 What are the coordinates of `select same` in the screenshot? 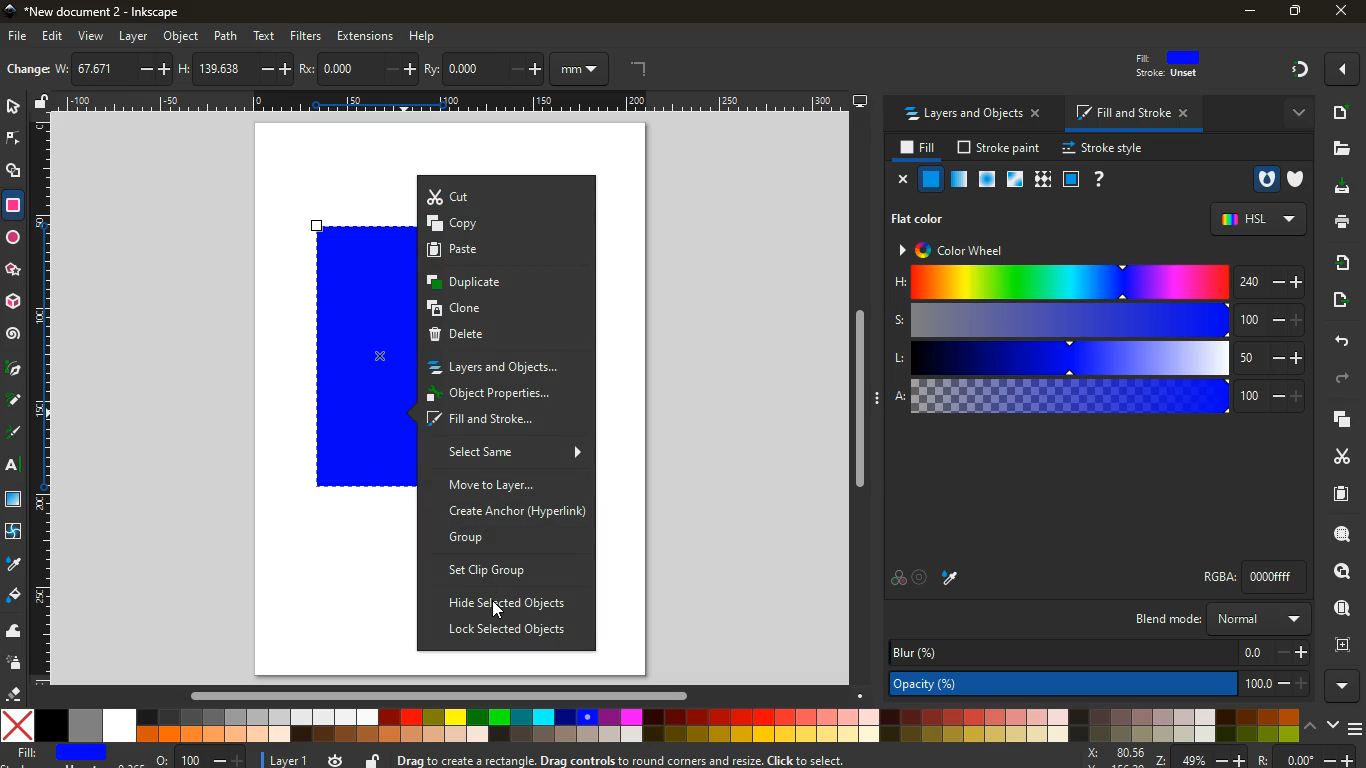 It's located at (509, 452).